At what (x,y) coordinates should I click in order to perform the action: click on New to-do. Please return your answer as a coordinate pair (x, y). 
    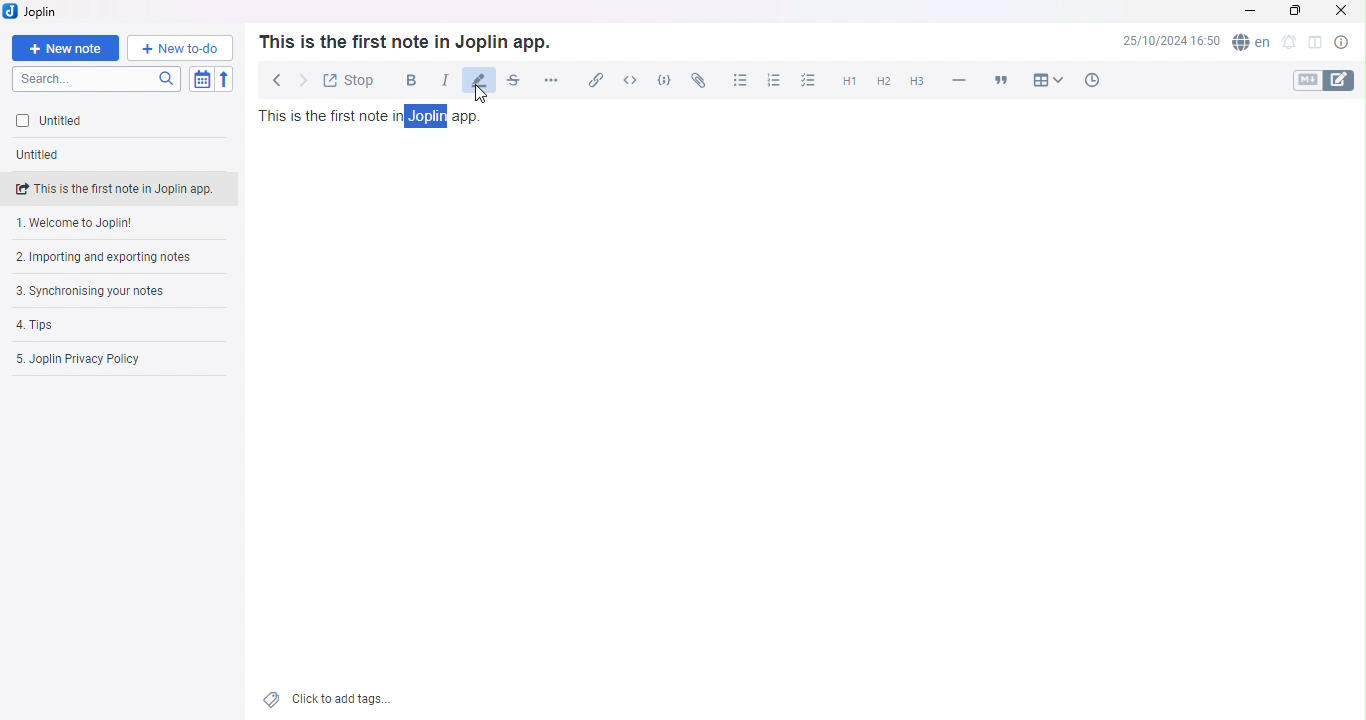
    Looking at the image, I should click on (178, 48).